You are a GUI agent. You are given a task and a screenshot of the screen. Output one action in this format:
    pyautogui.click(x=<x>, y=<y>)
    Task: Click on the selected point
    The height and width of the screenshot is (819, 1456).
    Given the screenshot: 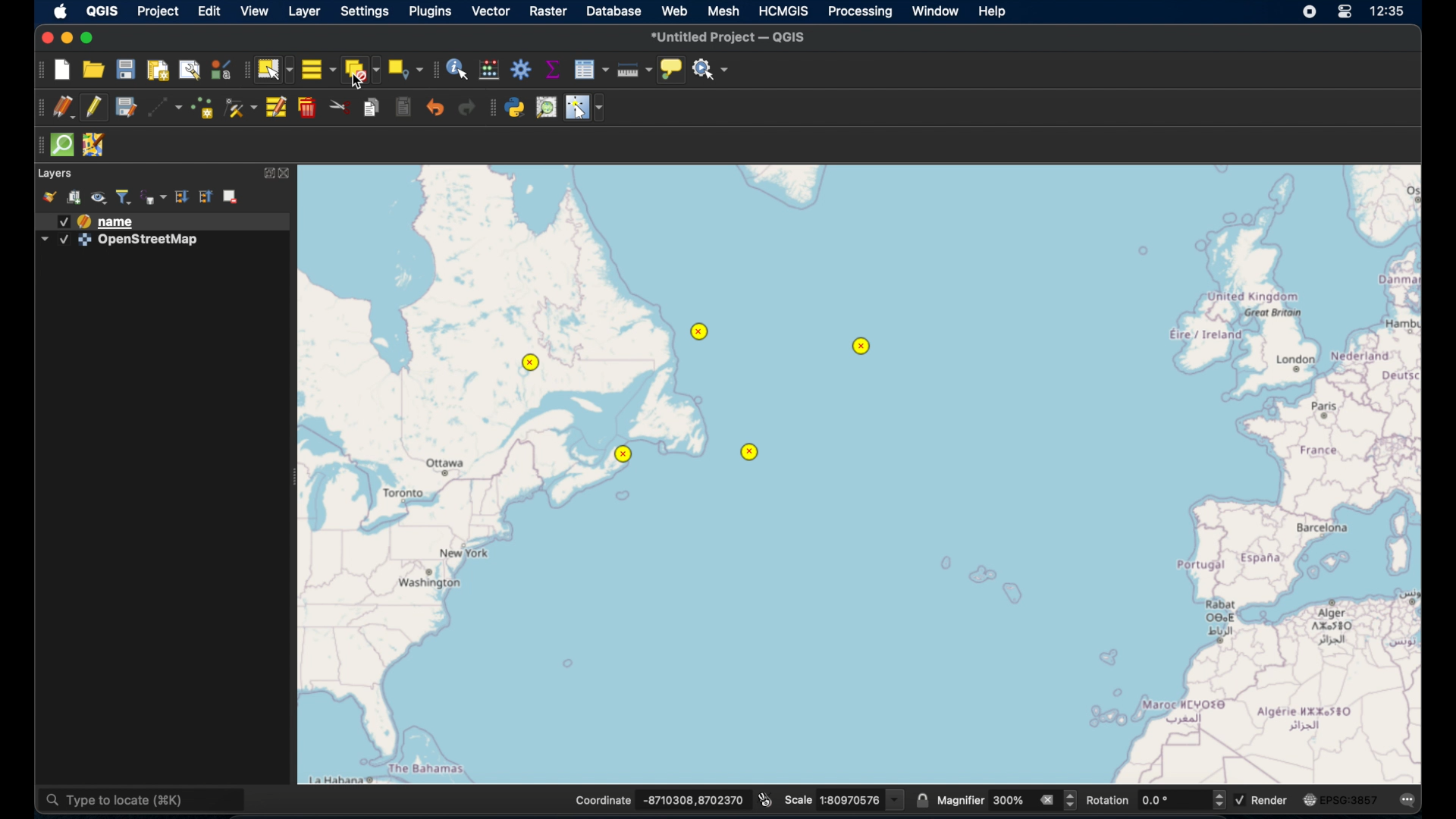 What is the action you would take?
    pyautogui.click(x=624, y=456)
    